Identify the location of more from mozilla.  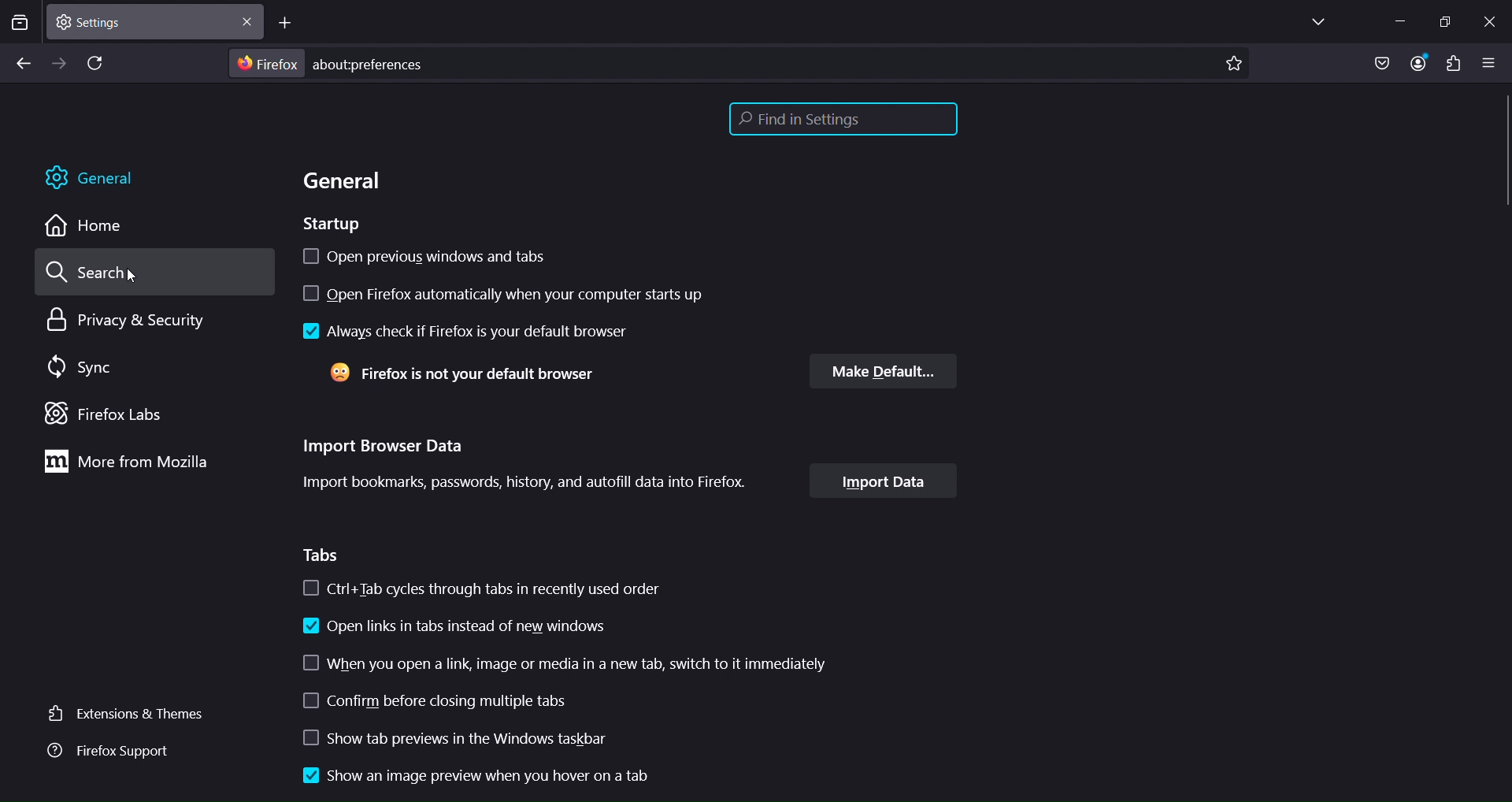
(144, 464).